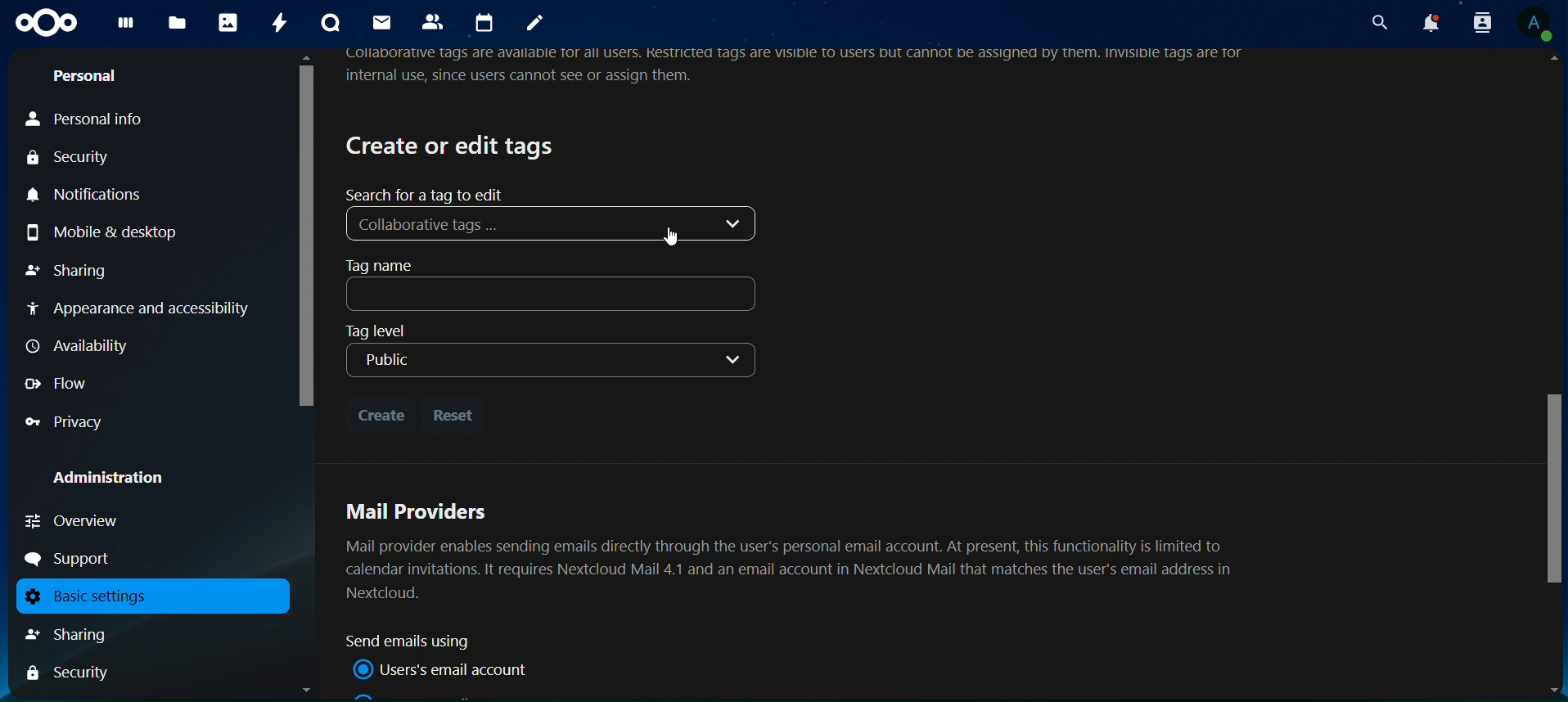 This screenshot has height=702, width=1568. I want to click on View Profile, so click(1537, 26).